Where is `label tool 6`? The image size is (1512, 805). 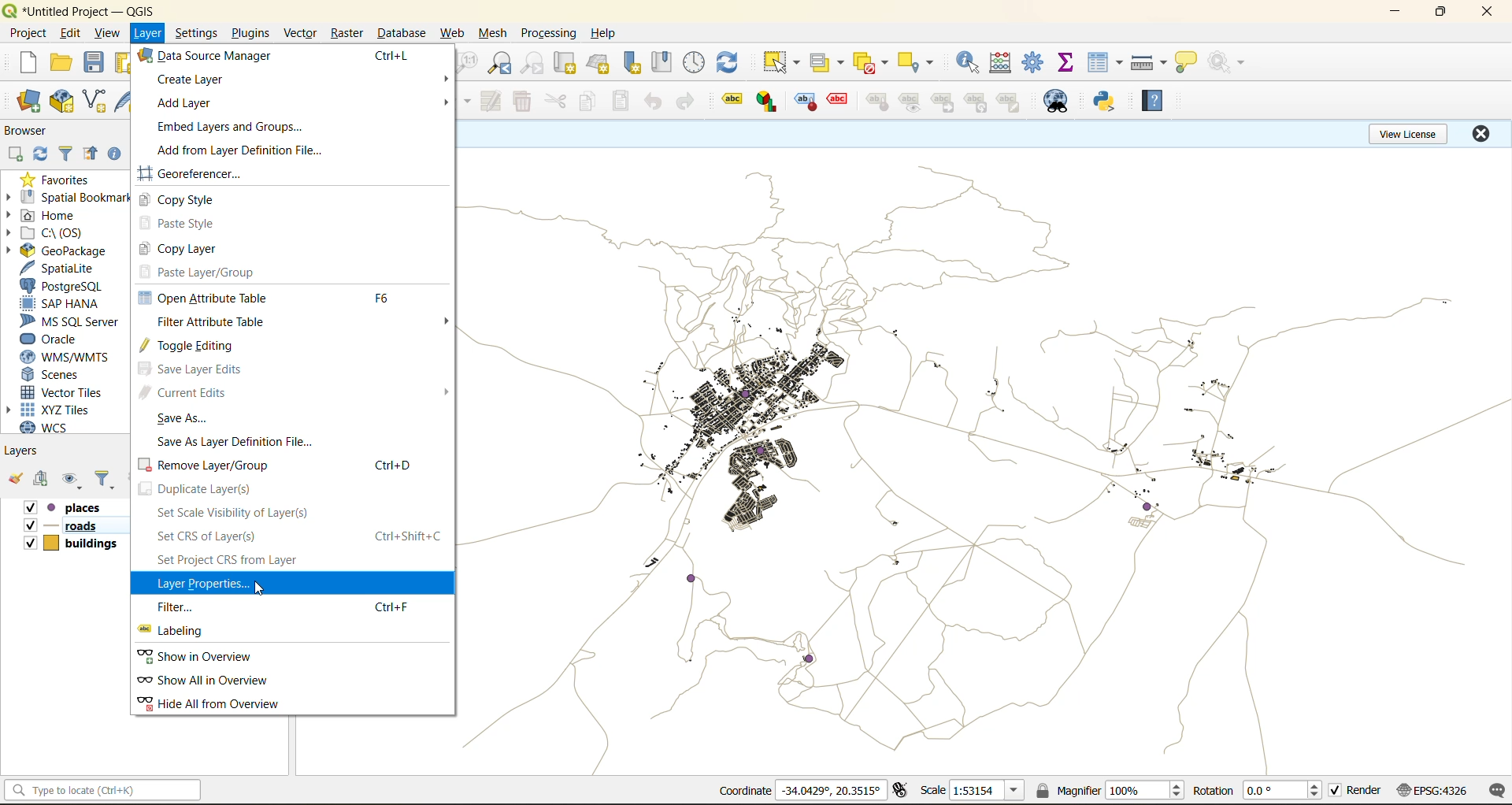
label tool 6 is located at coordinates (910, 104).